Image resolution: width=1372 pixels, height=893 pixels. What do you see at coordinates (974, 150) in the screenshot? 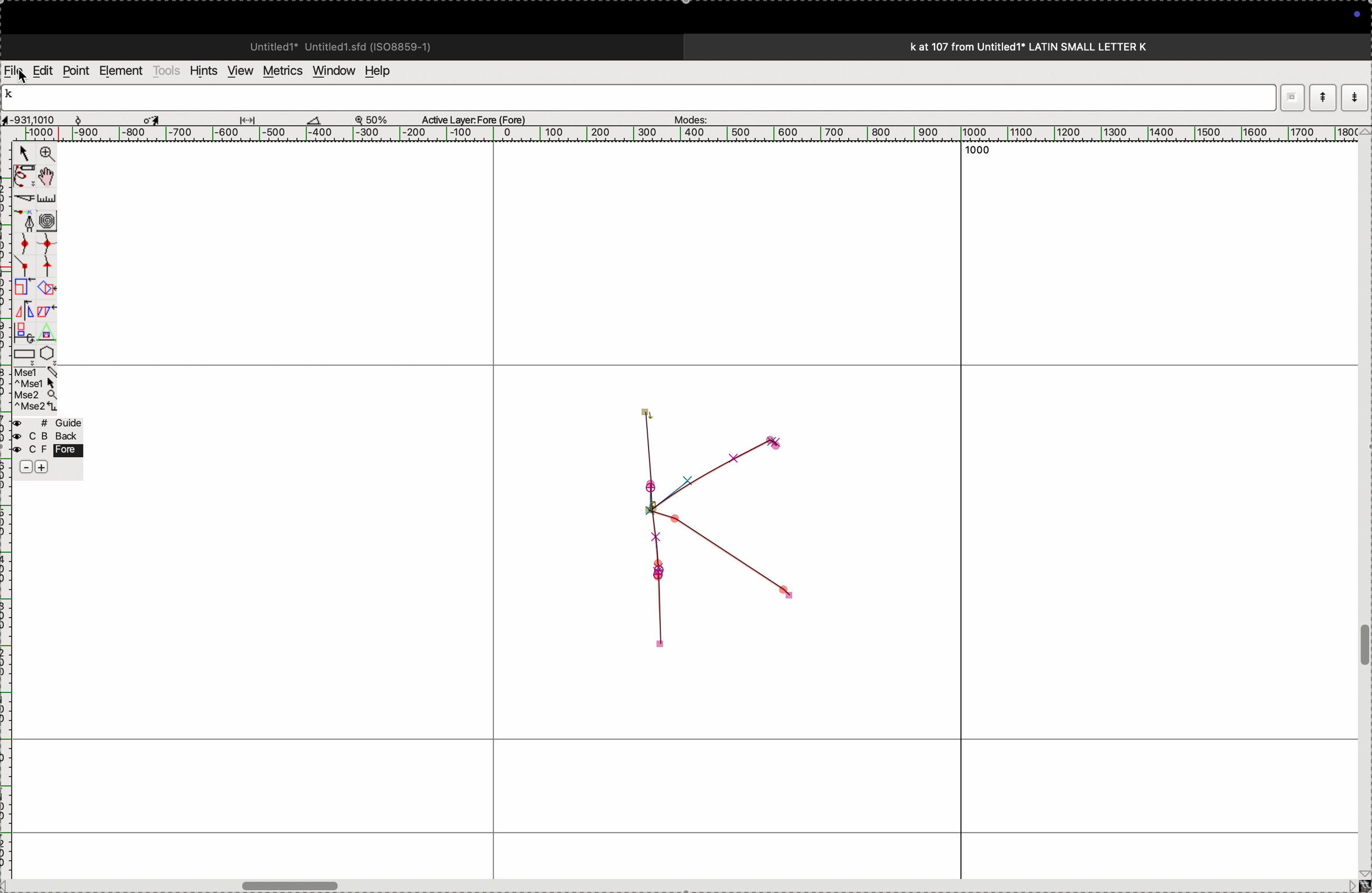
I see `1000` at bounding box center [974, 150].